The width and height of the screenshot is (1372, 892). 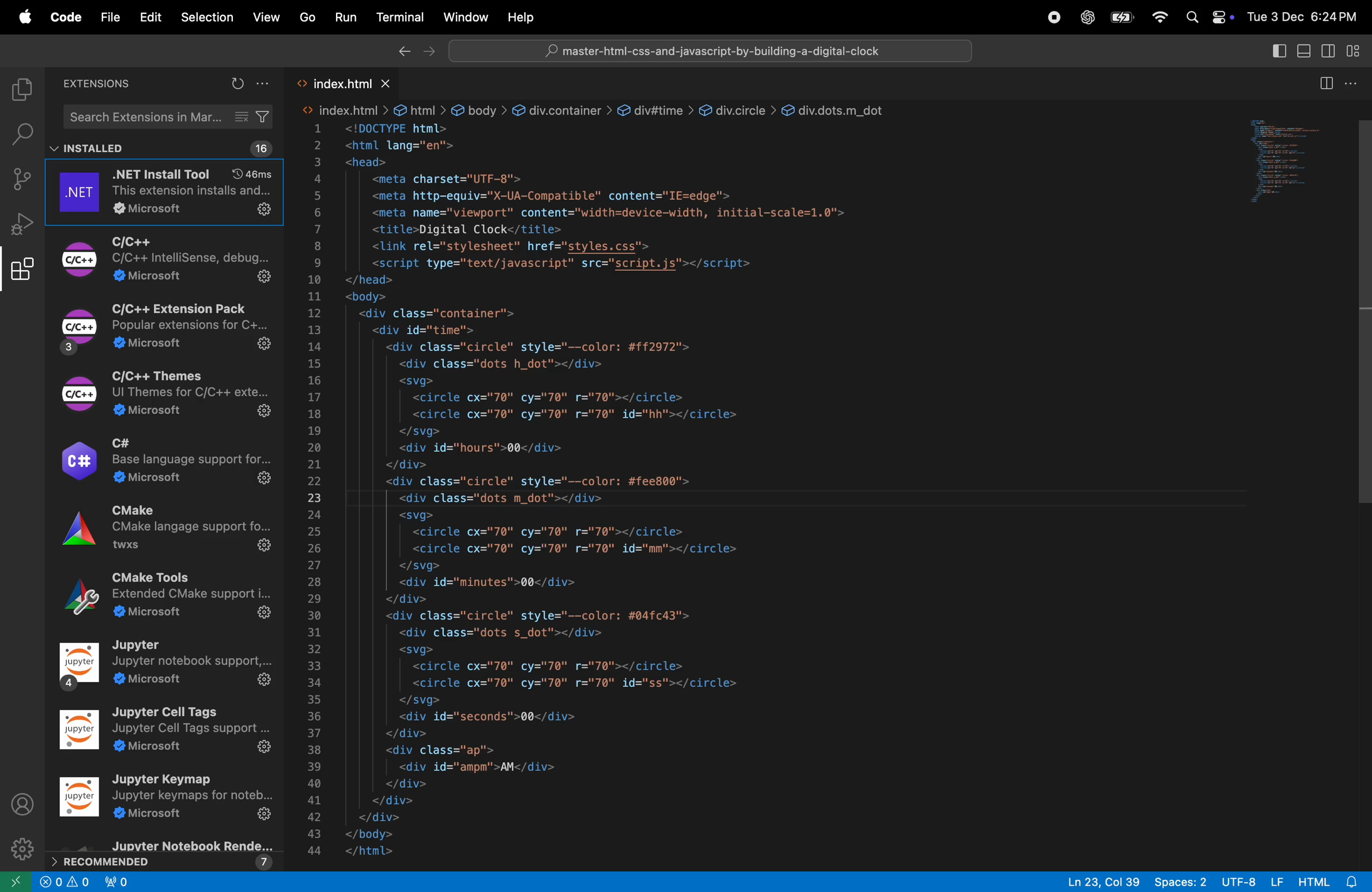 I want to click on Code, so click(x=65, y=16).